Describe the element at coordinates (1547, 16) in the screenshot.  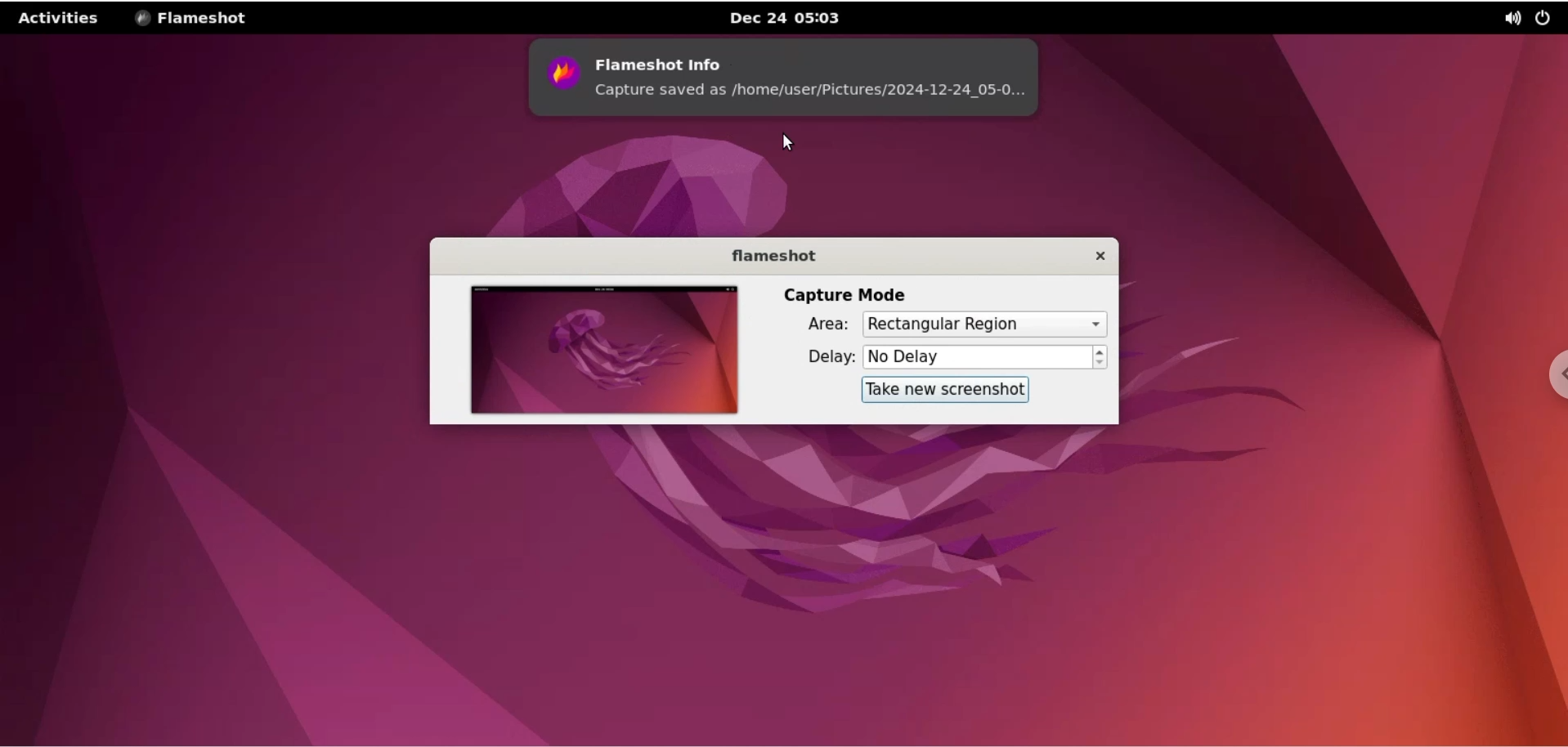
I see `power options` at that location.